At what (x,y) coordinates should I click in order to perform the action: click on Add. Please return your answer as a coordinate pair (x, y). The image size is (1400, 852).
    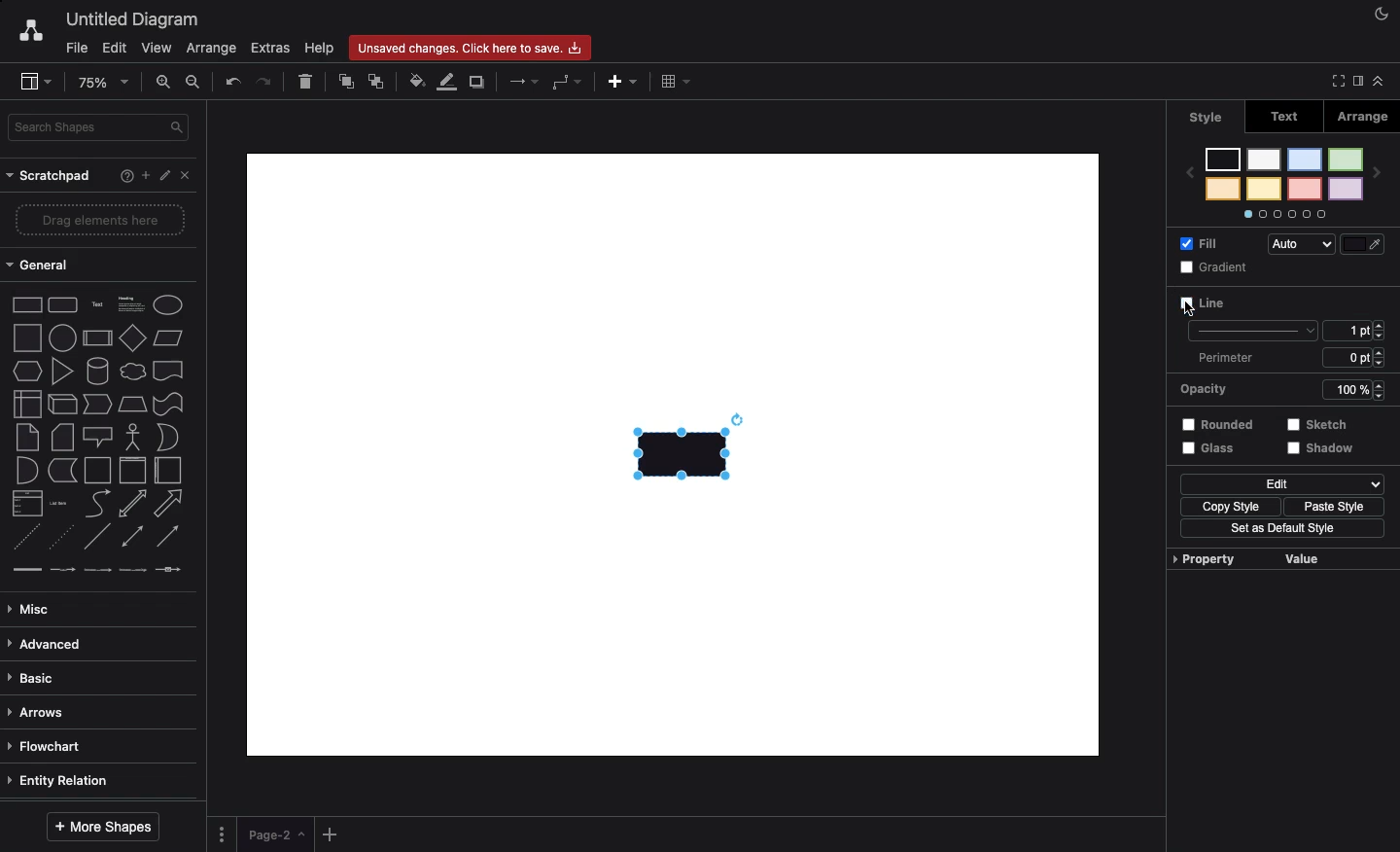
    Looking at the image, I should click on (144, 175).